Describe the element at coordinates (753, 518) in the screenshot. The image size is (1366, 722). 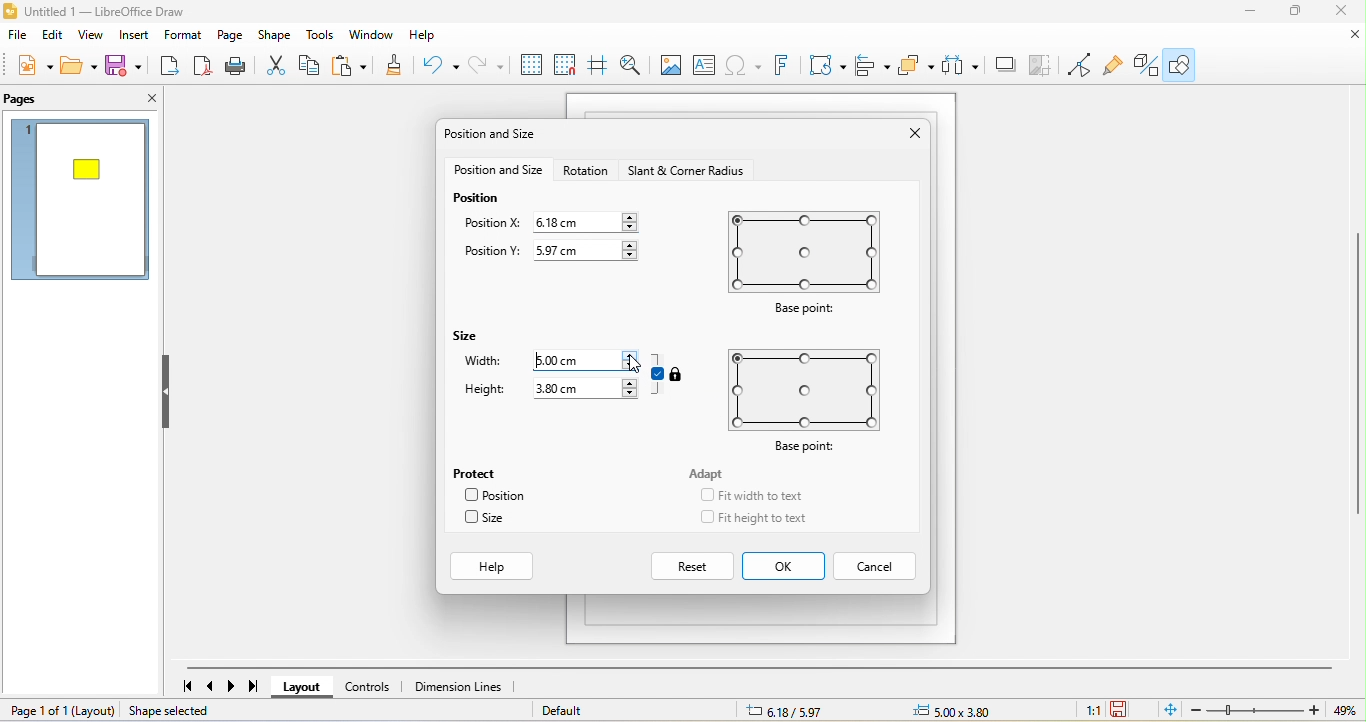
I see `fit height to text` at that location.